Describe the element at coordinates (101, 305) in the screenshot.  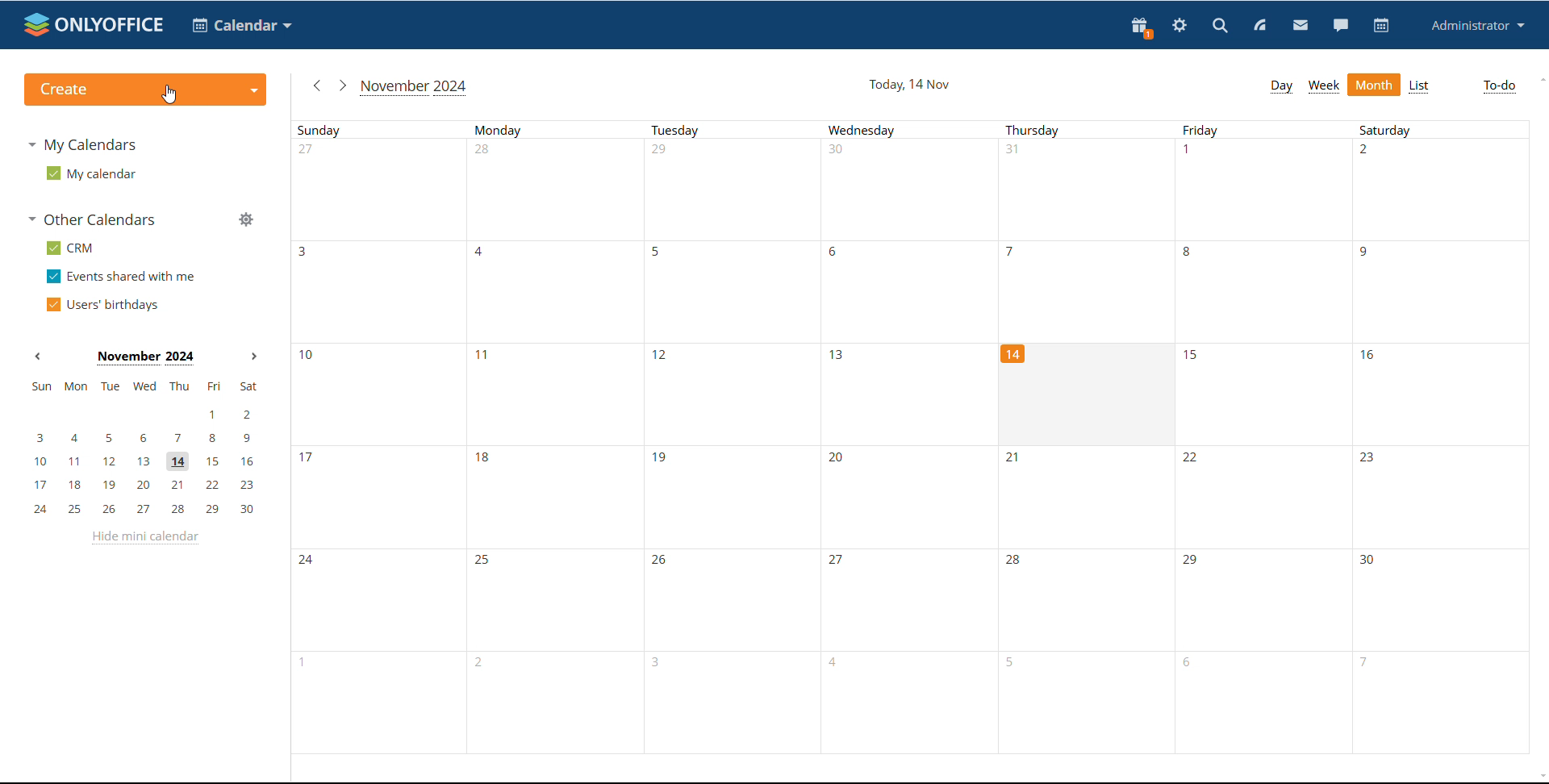
I see `users' birthdays` at that location.